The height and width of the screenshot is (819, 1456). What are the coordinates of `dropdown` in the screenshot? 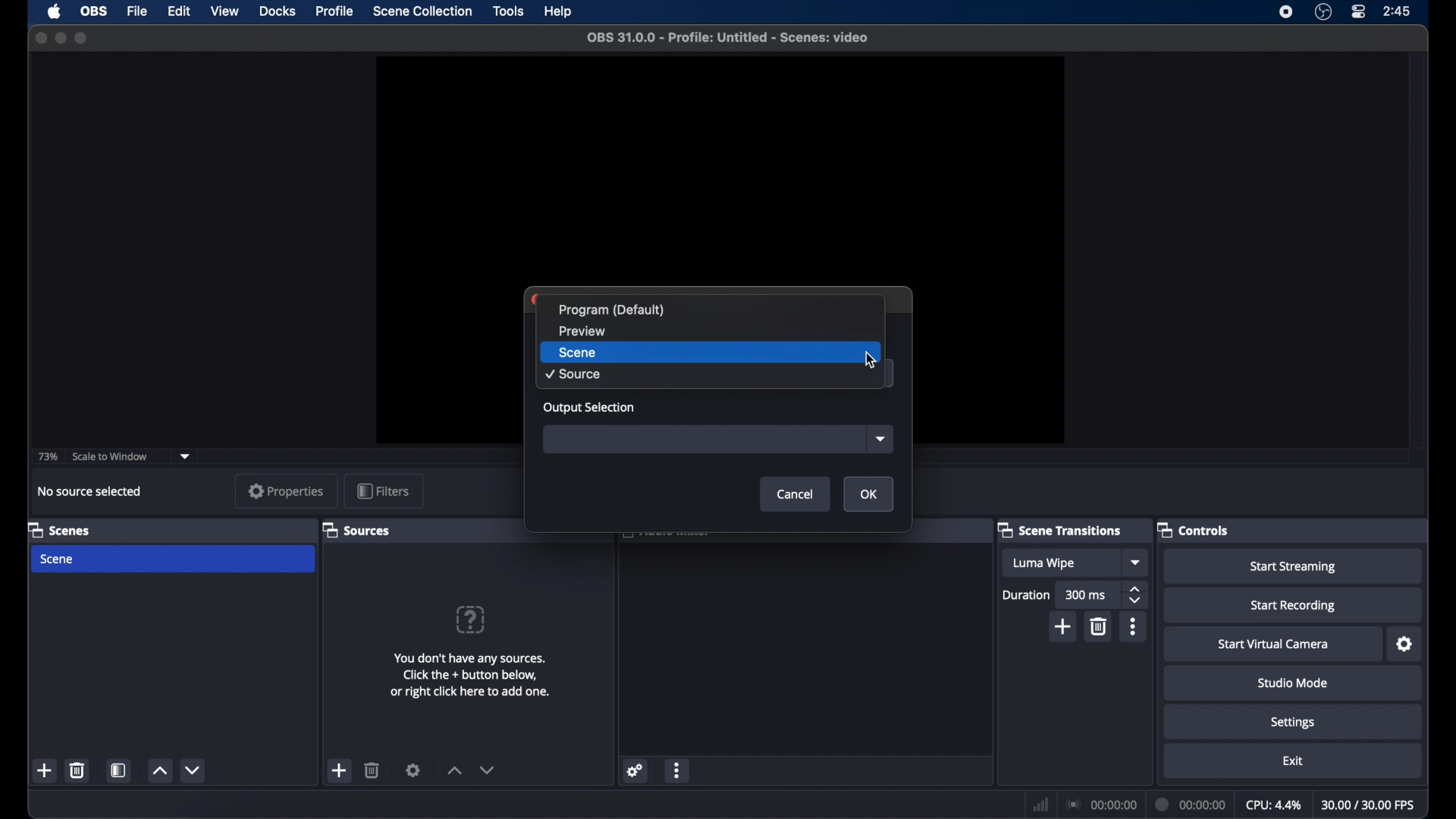 It's located at (880, 438).